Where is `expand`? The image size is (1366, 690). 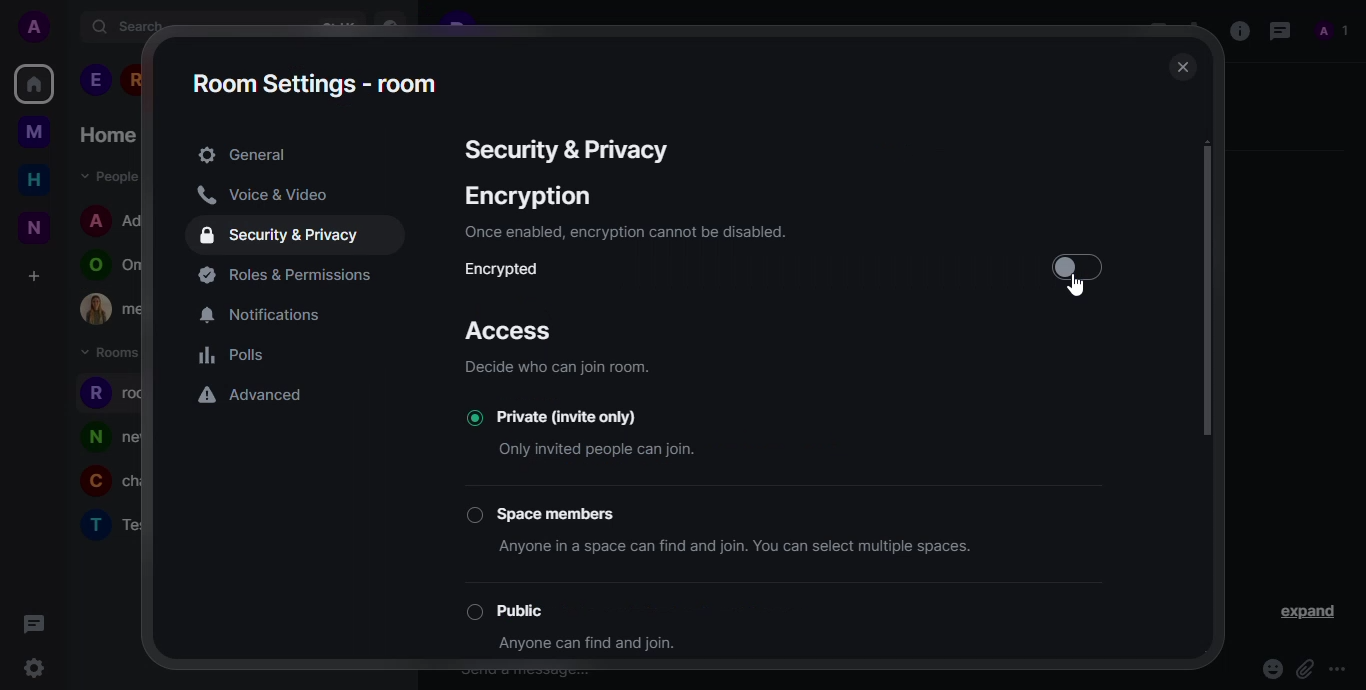
expand is located at coordinates (1310, 613).